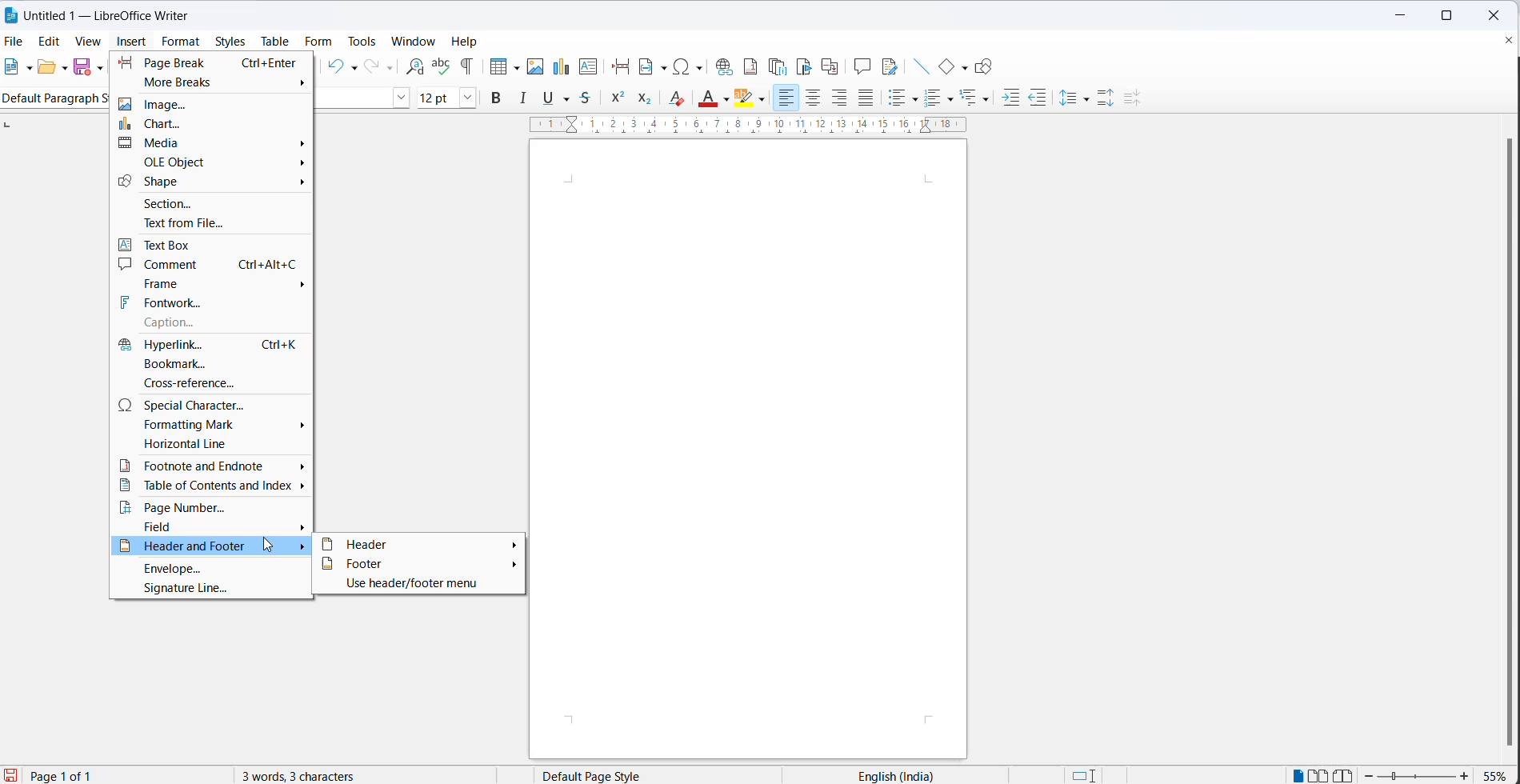 The width and height of the screenshot is (1520, 784). I want to click on undo, so click(333, 66).